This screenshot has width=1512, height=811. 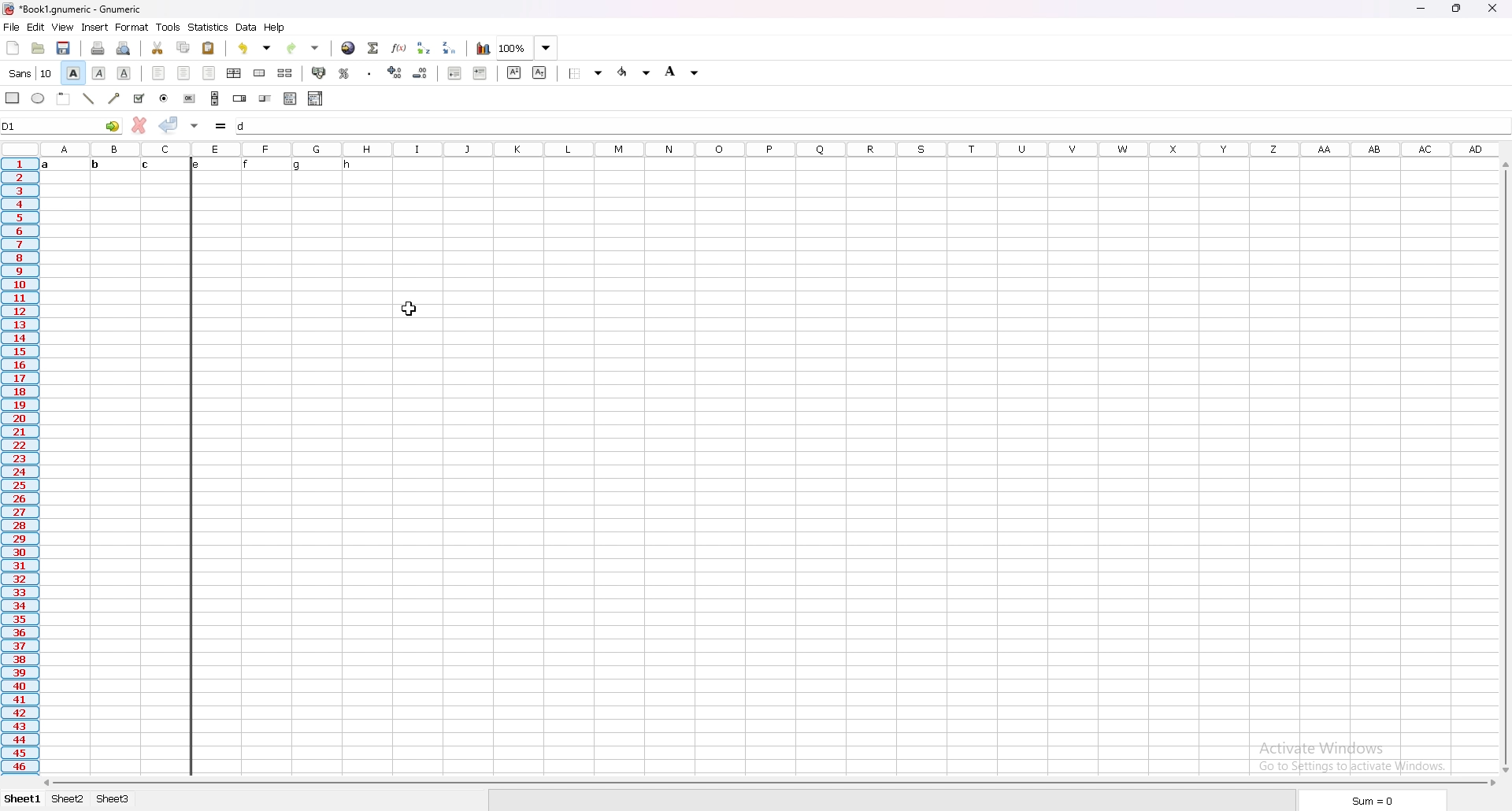 I want to click on statistics, so click(x=209, y=28).